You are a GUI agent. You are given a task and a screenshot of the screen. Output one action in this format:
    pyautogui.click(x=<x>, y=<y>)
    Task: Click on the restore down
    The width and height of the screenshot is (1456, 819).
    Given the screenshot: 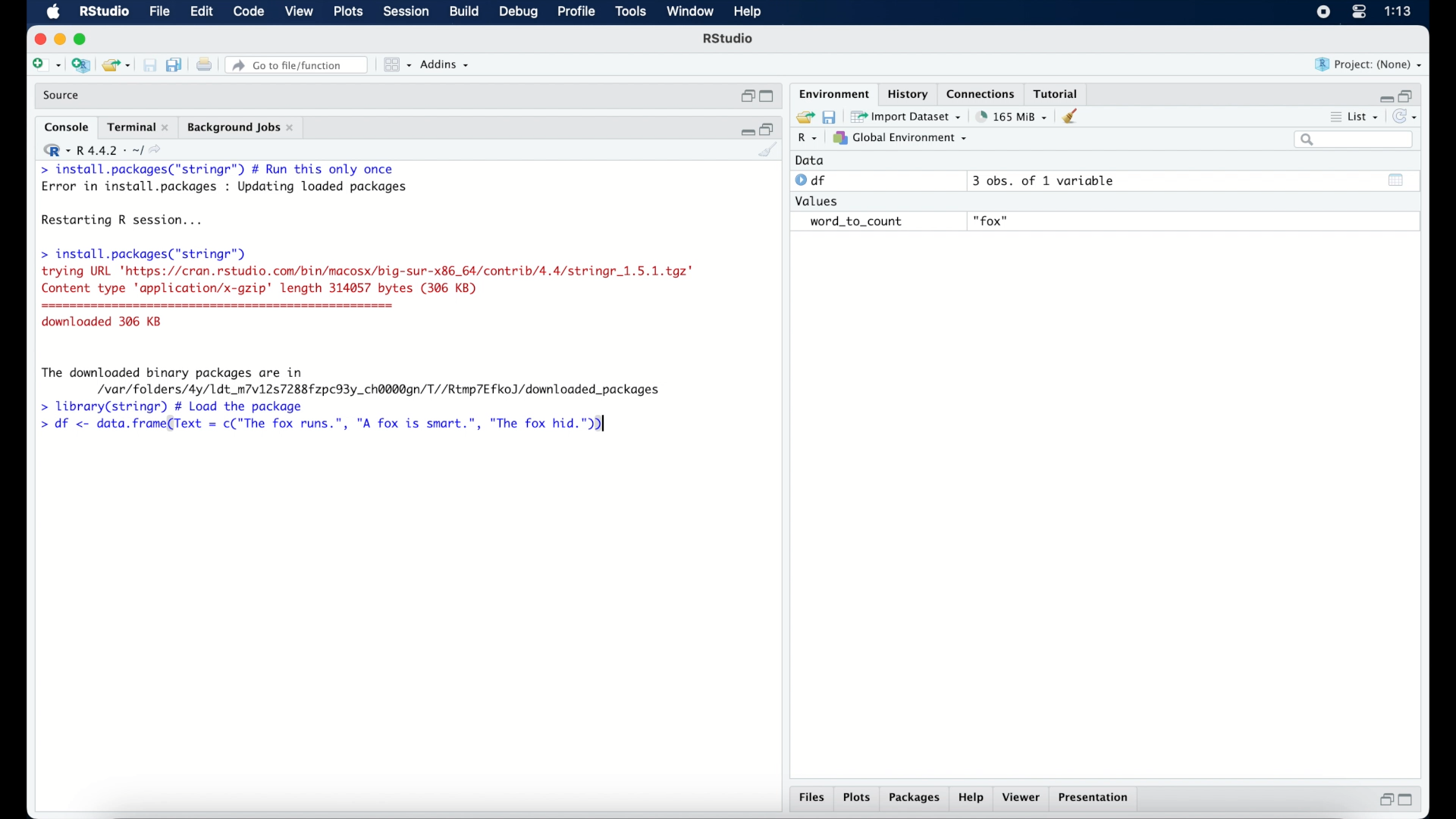 What is the action you would take?
    pyautogui.click(x=1384, y=799)
    